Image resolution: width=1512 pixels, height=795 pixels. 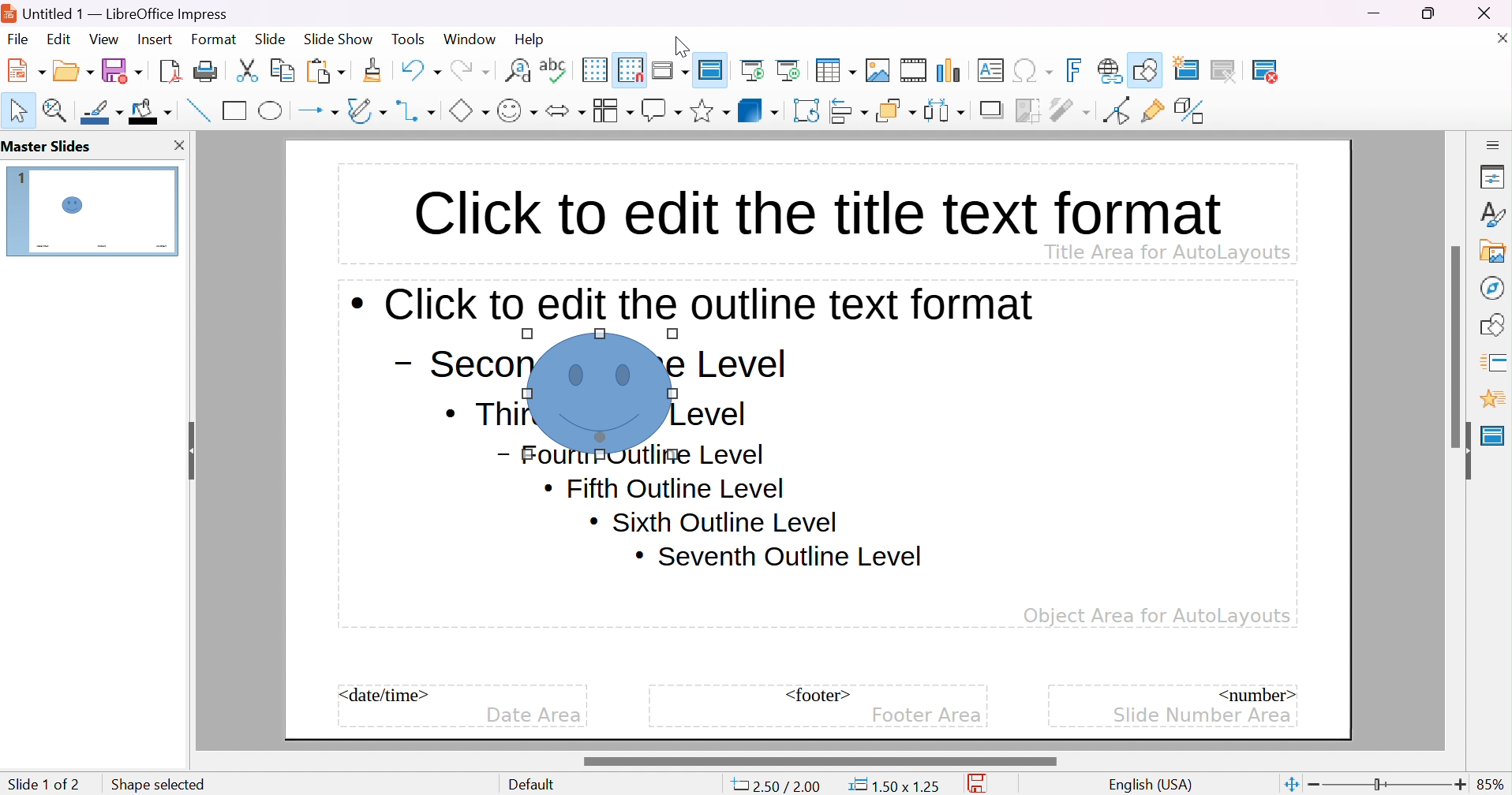 I want to click on hide, so click(x=1463, y=451).